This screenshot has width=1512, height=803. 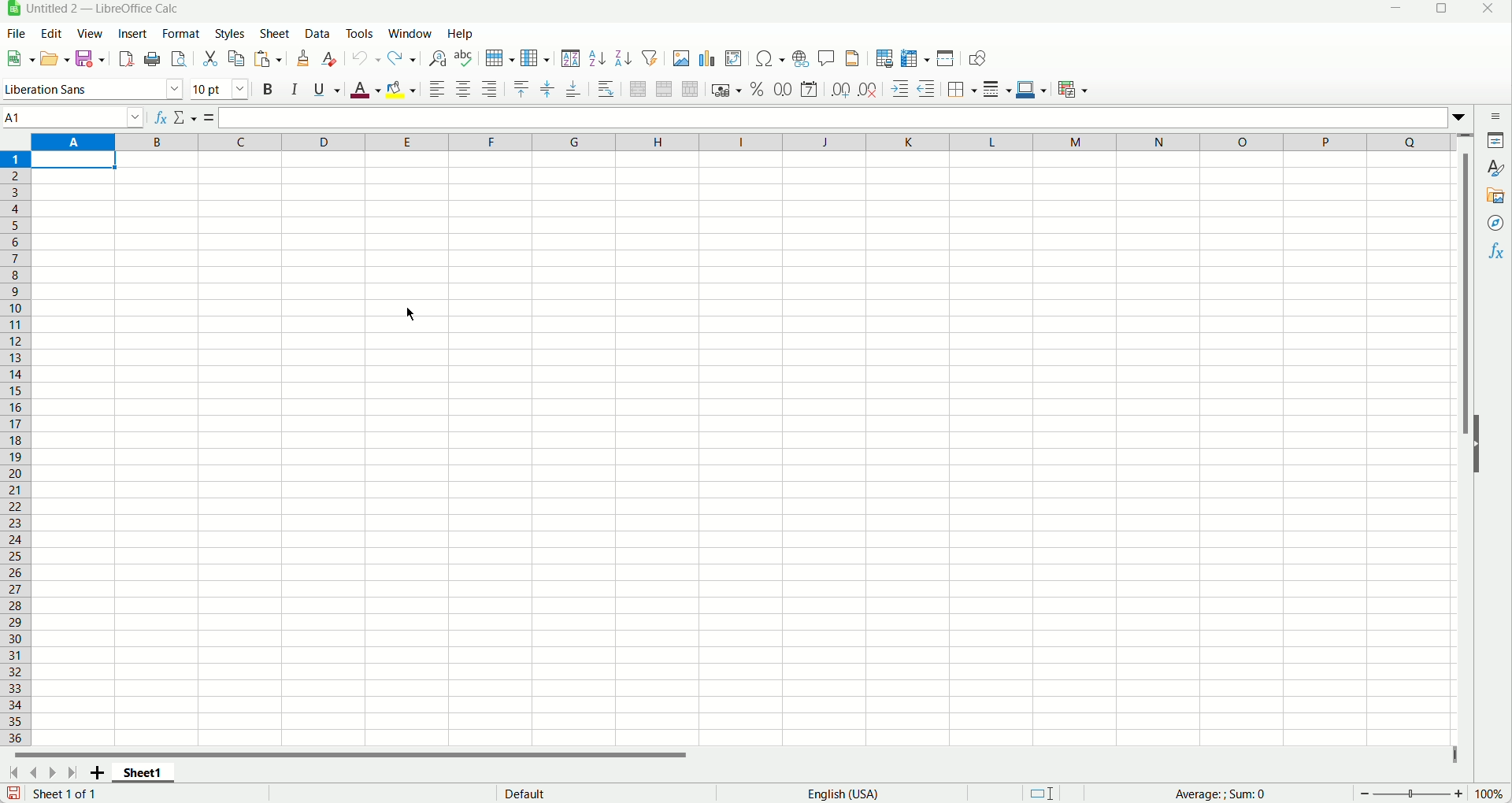 I want to click on Scroll to last sheet, so click(x=76, y=773).